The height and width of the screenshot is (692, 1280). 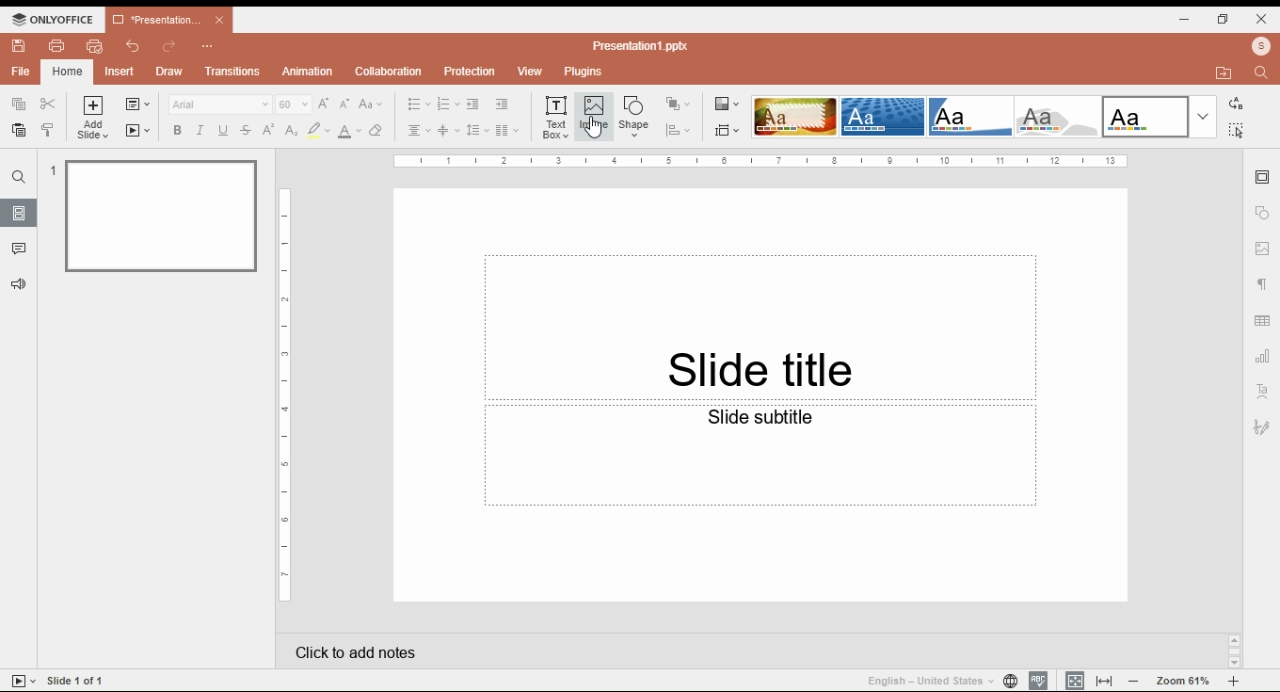 What do you see at coordinates (634, 116) in the screenshot?
I see `insert shape` at bounding box center [634, 116].